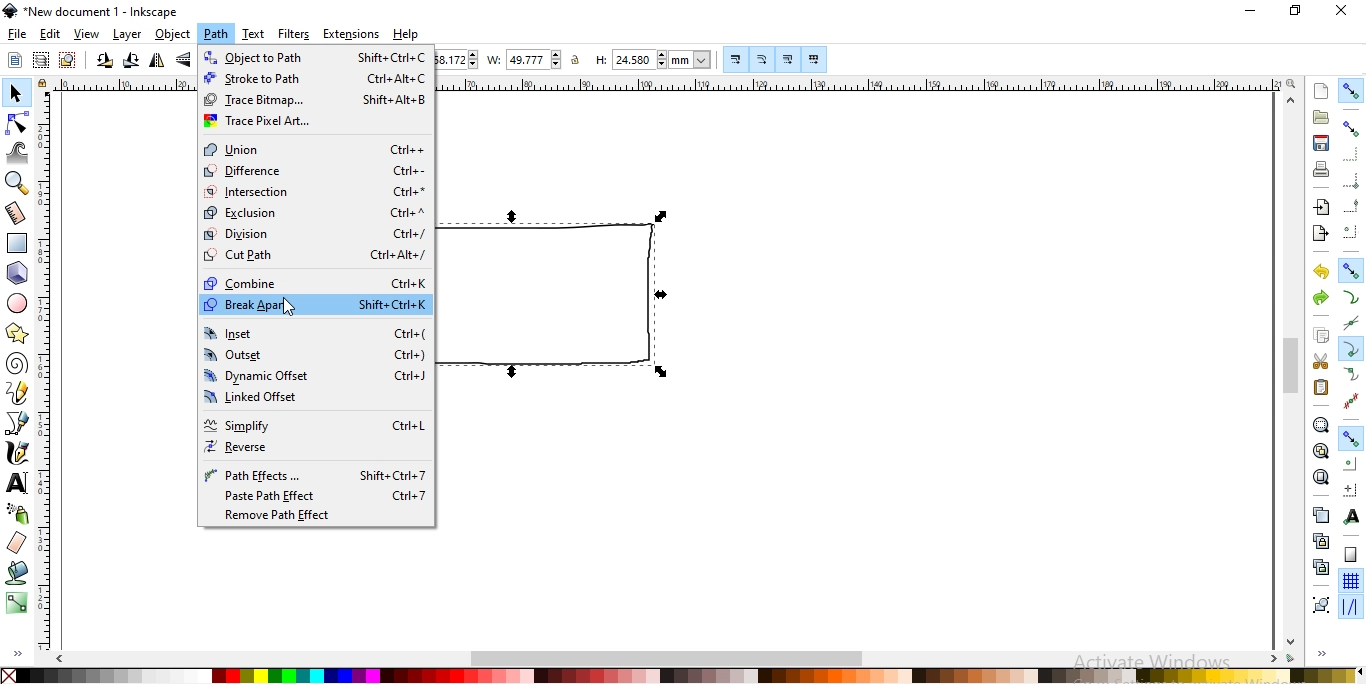 Image resolution: width=1366 pixels, height=684 pixels. What do you see at coordinates (1319, 541) in the screenshot?
I see `create a clone` at bounding box center [1319, 541].